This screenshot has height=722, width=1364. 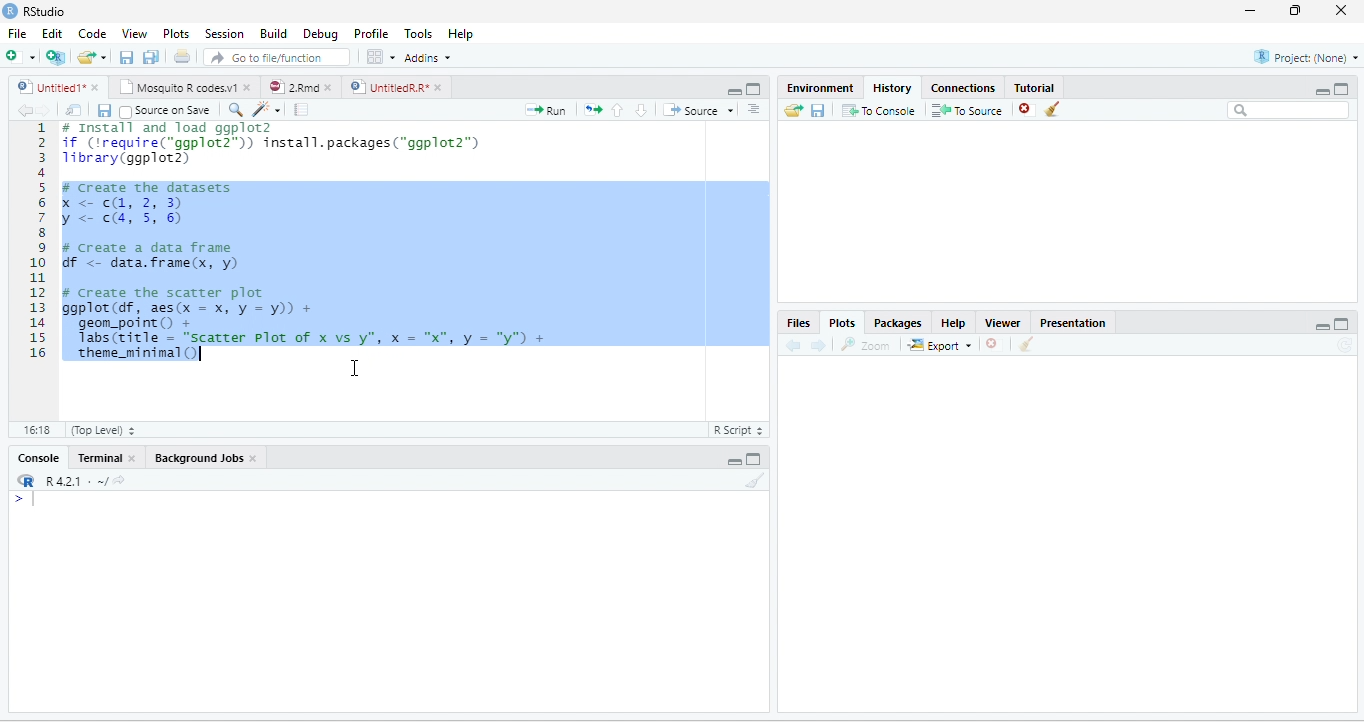 I want to click on Save all open documents, so click(x=151, y=56).